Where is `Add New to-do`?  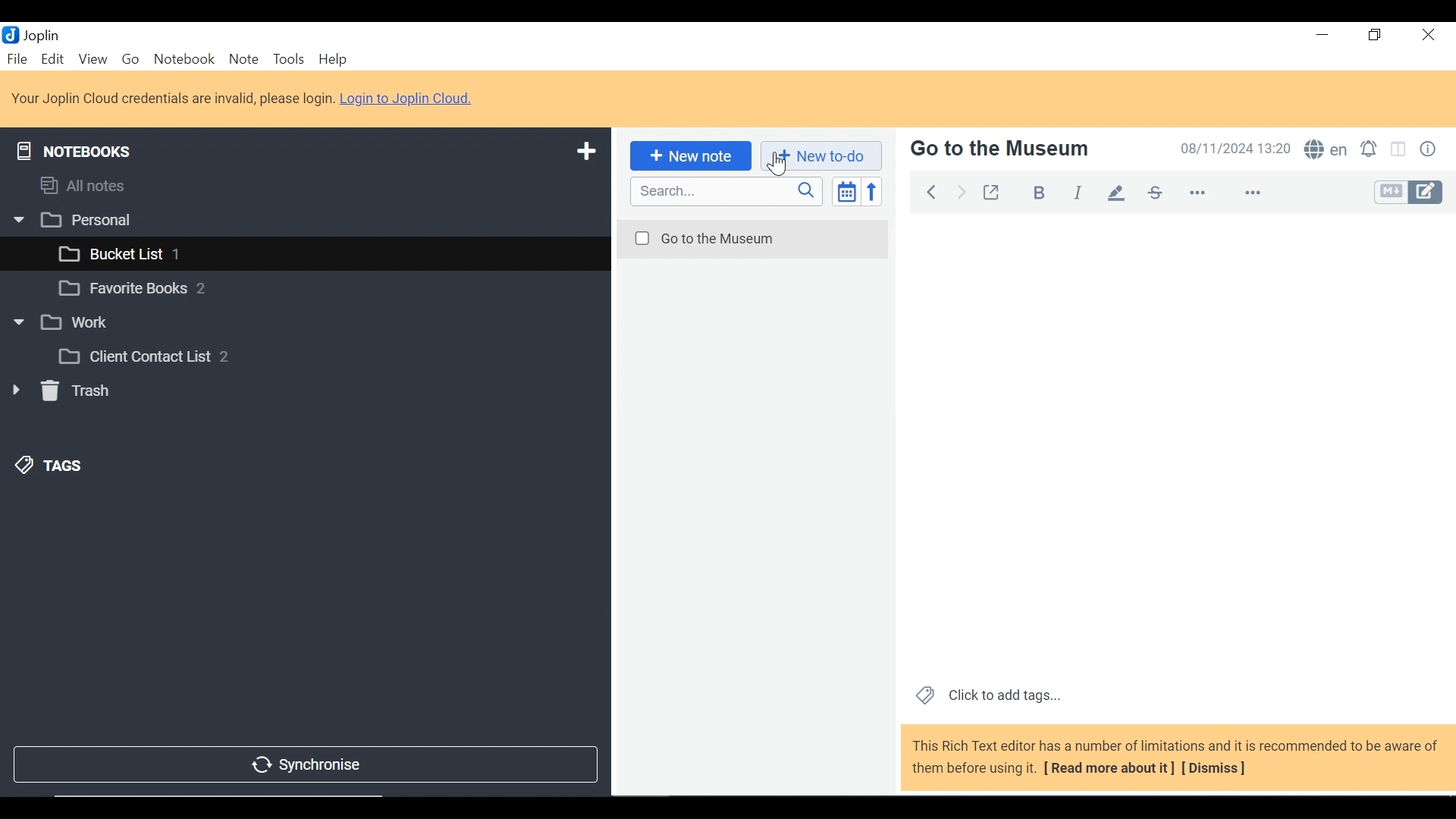
Add New to-do is located at coordinates (821, 156).